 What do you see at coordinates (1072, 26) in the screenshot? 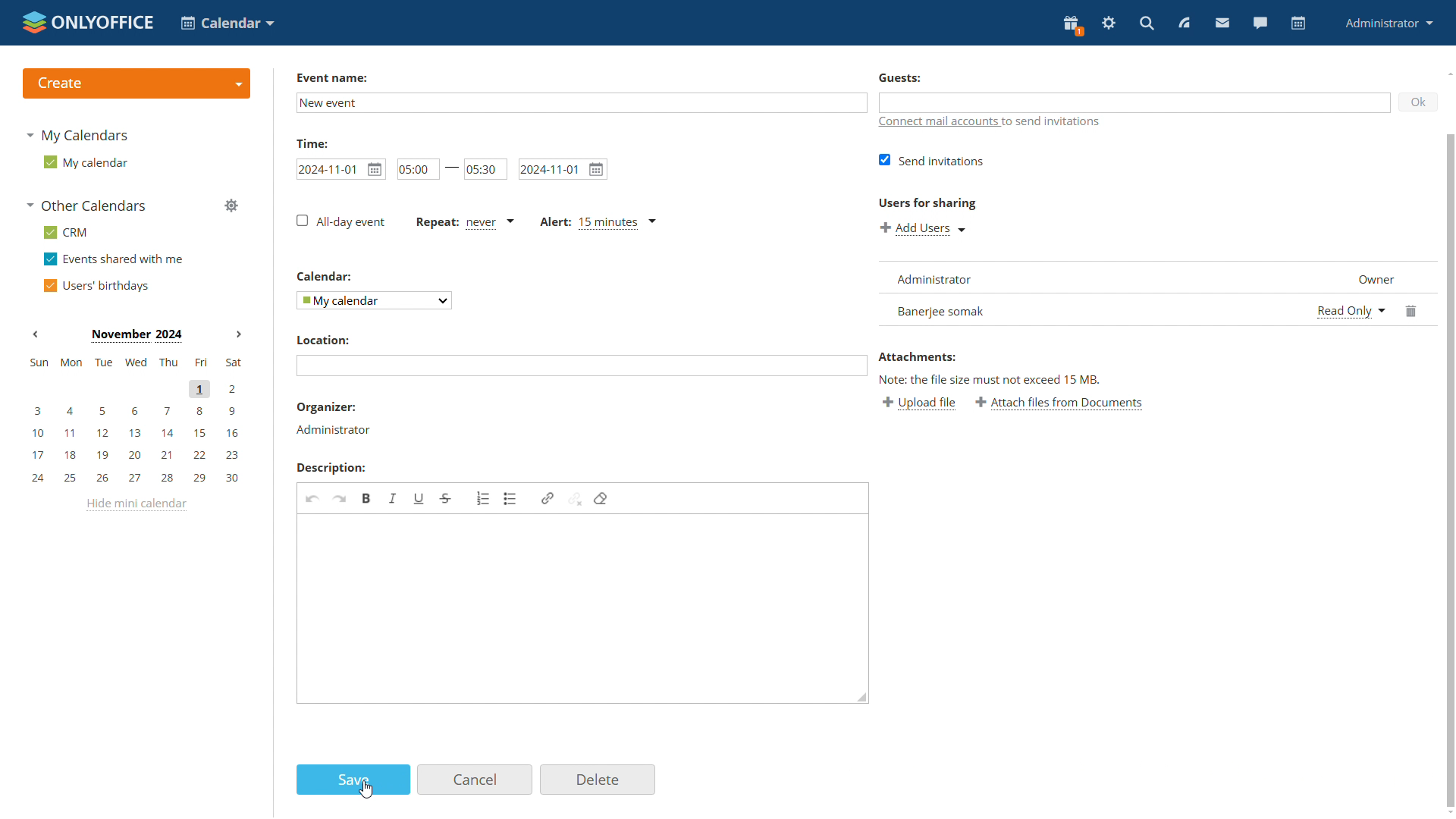
I see `present` at bounding box center [1072, 26].